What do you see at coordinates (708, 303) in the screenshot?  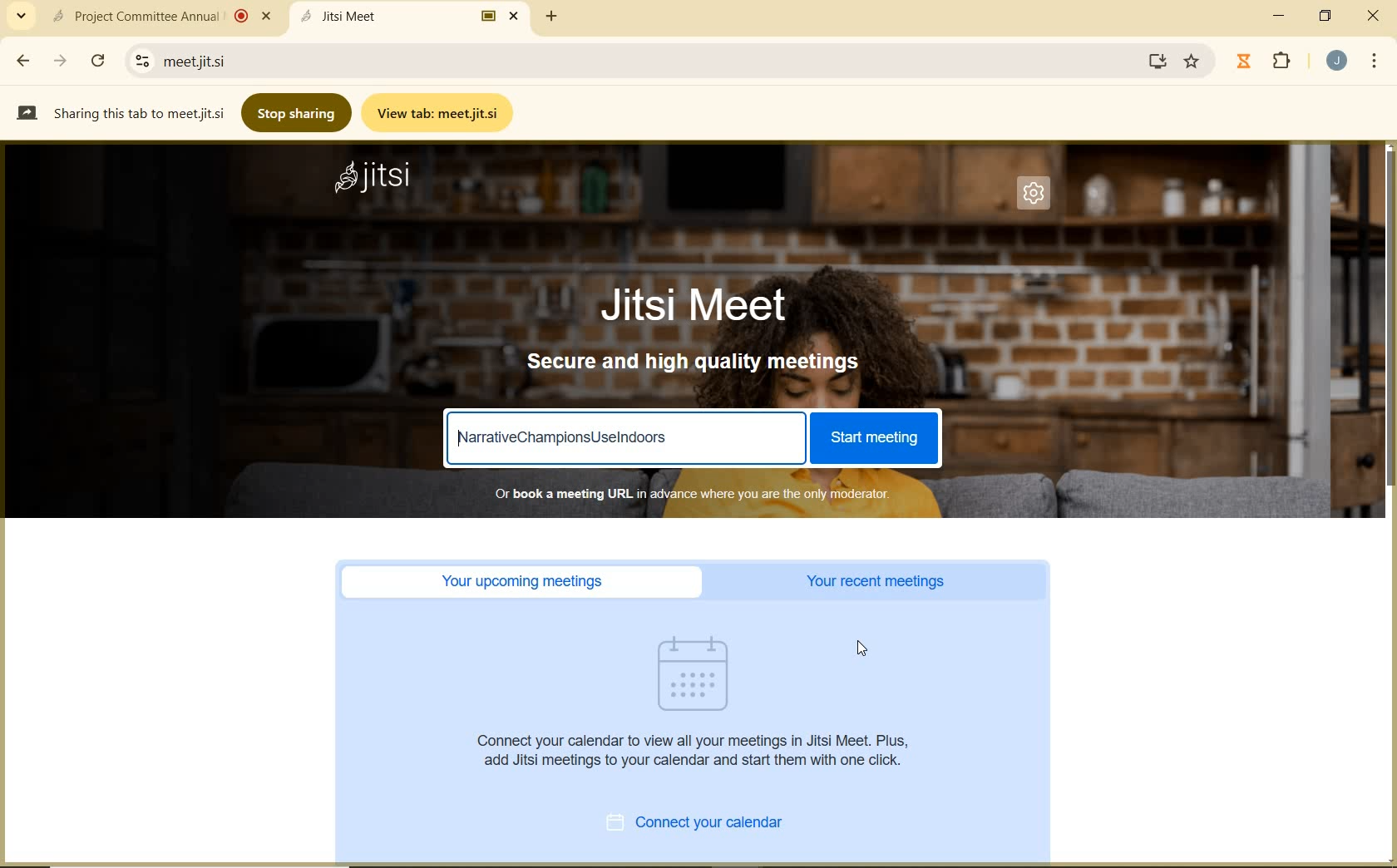 I see `JITSI MEET` at bounding box center [708, 303].